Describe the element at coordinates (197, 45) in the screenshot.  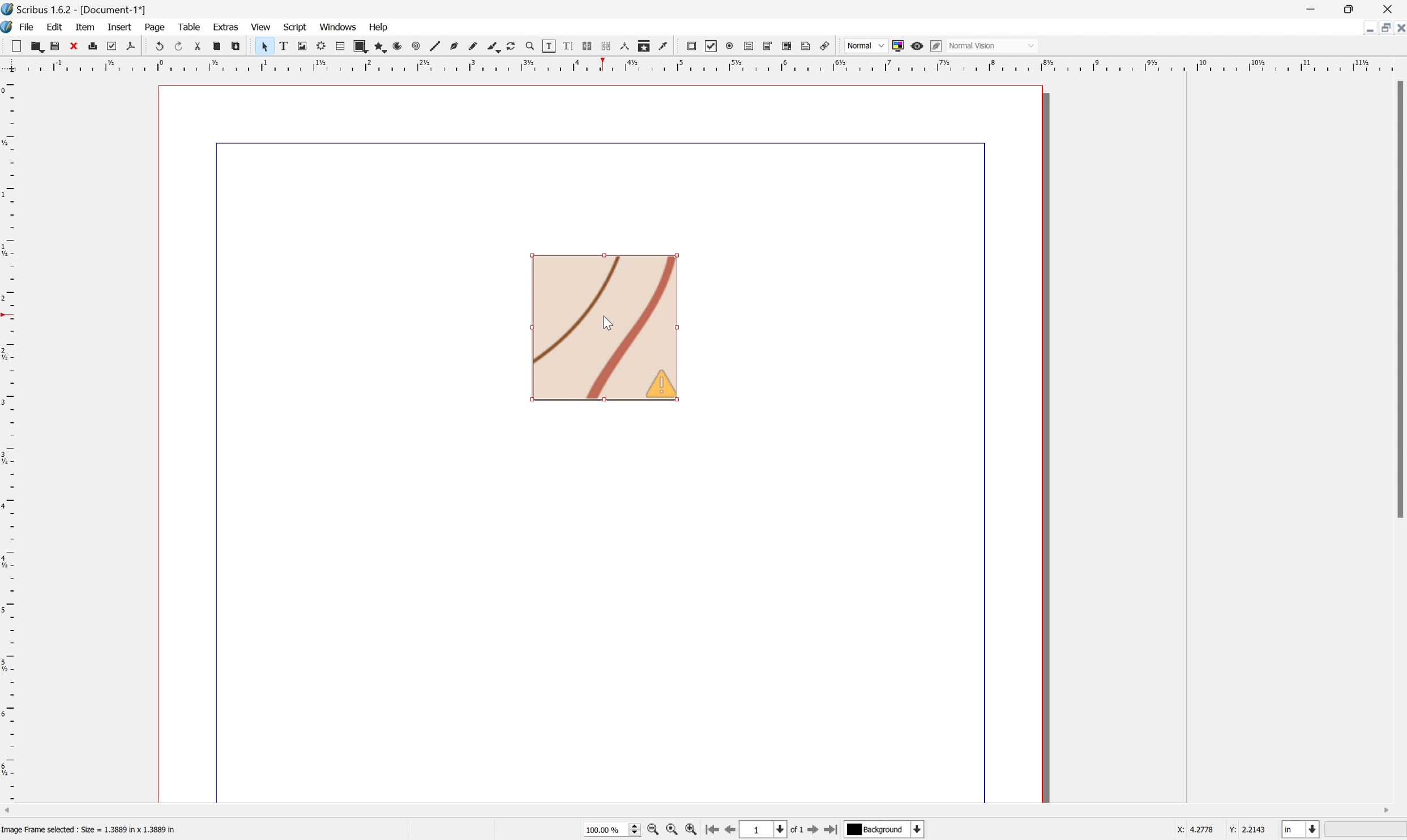
I see `Cut` at that location.